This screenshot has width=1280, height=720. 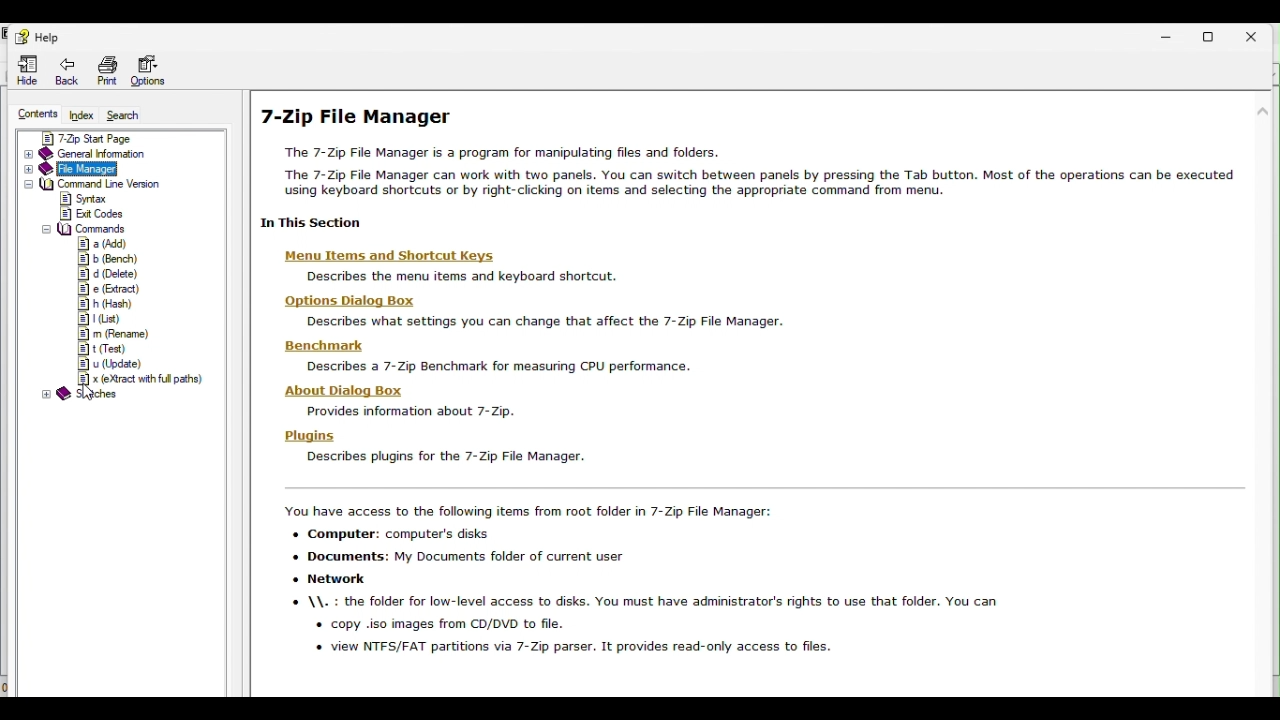 I want to click on cursor, so click(x=88, y=395).